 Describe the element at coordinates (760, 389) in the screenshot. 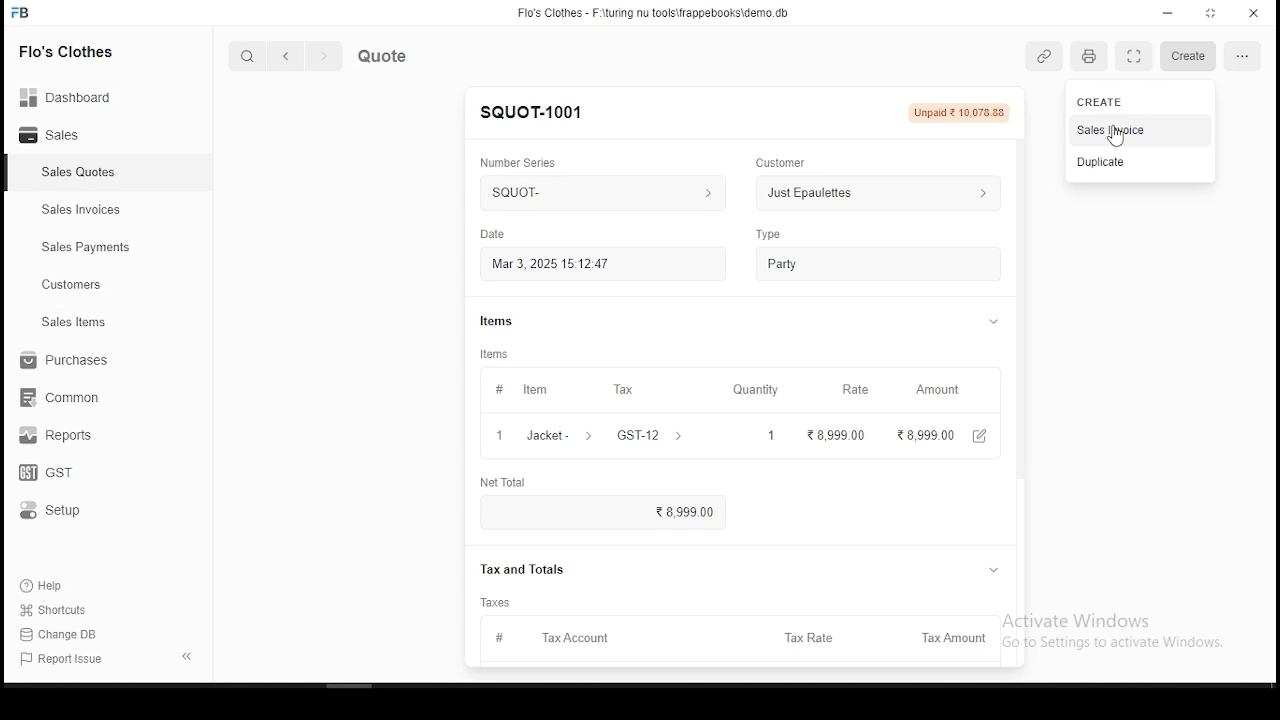

I see `quantity` at that location.